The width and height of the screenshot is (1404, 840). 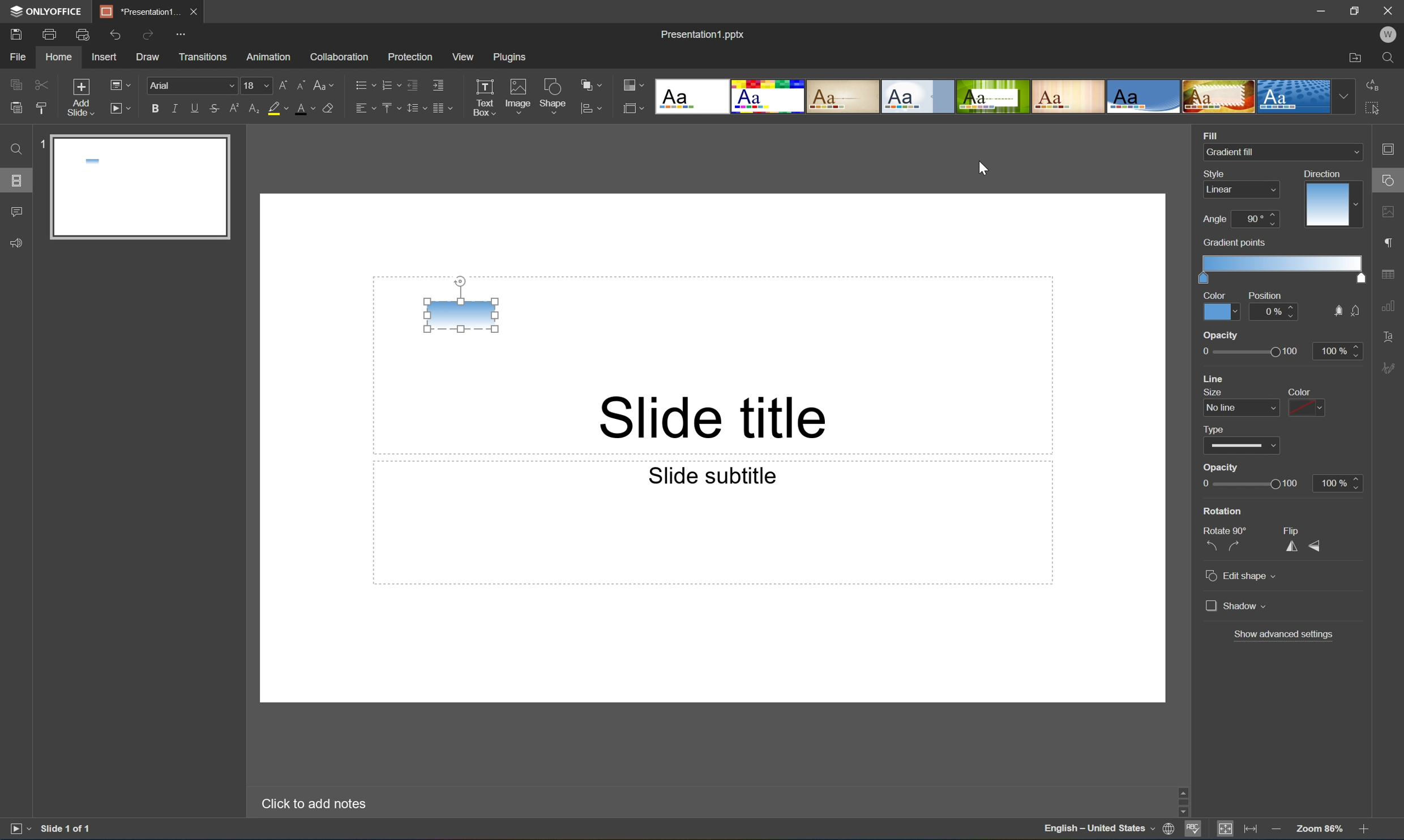 What do you see at coordinates (1363, 786) in the screenshot?
I see `Scroll Up` at bounding box center [1363, 786].